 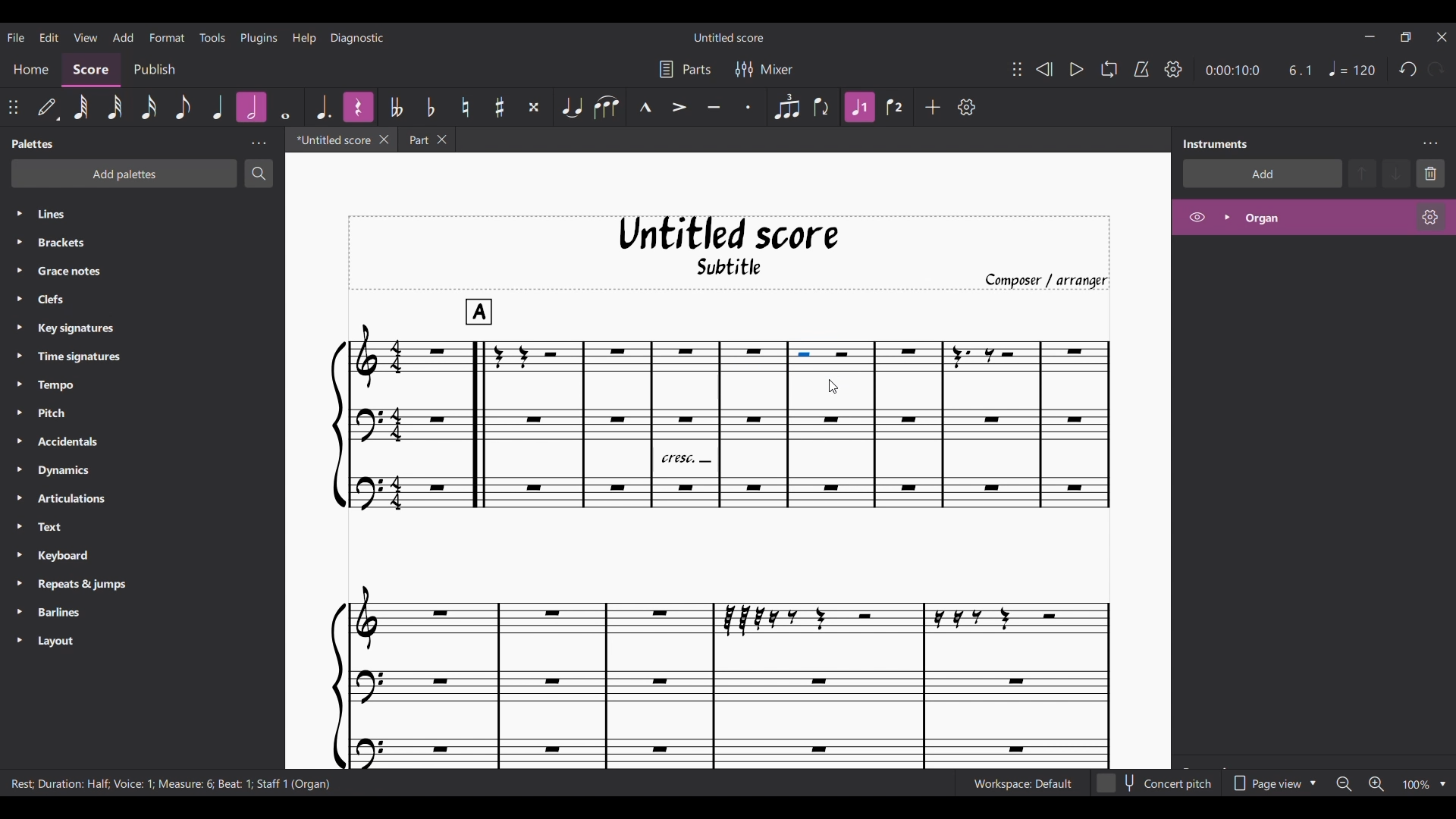 I want to click on Play, so click(x=1077, y=70).